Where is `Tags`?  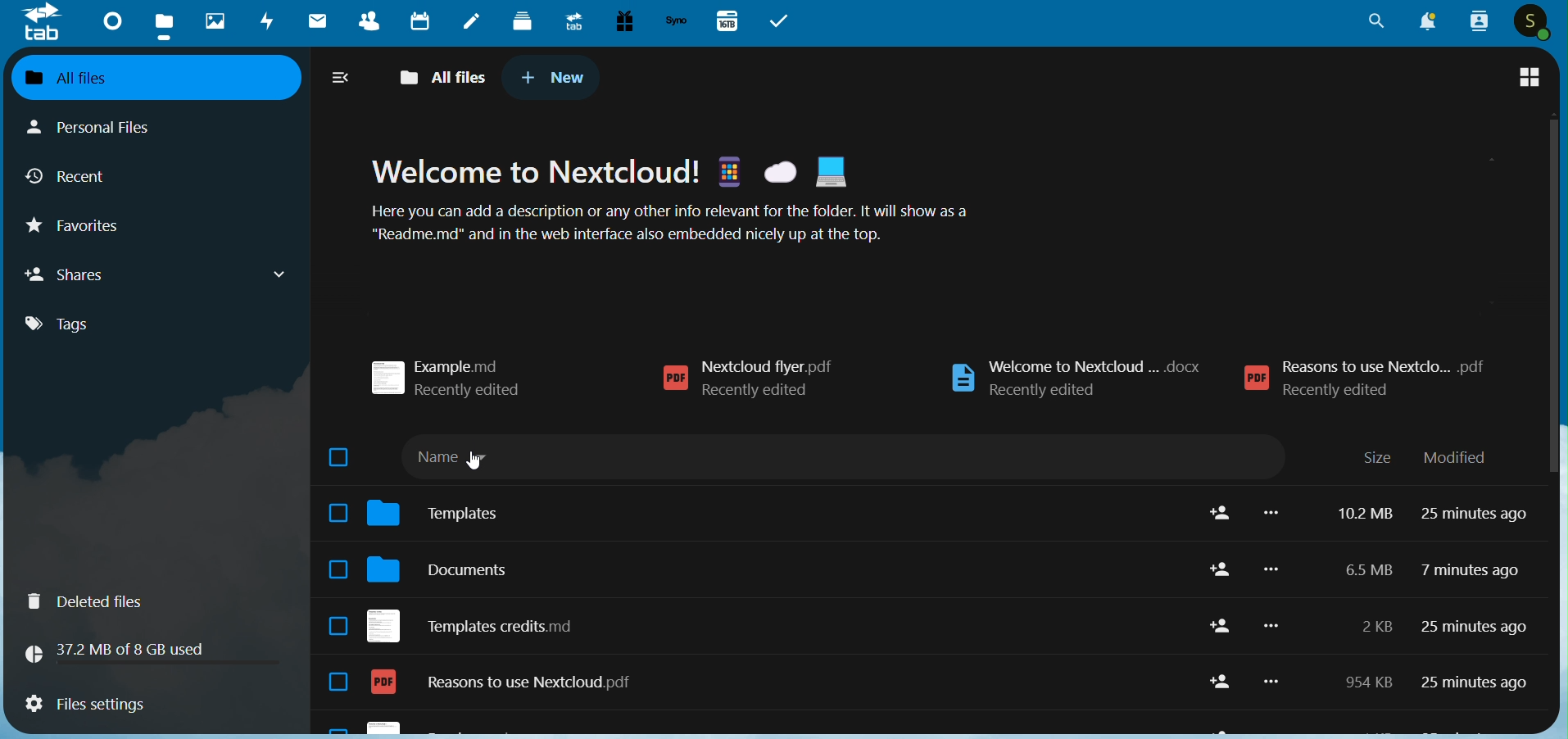 Tags is located at coordinates (134, 325).